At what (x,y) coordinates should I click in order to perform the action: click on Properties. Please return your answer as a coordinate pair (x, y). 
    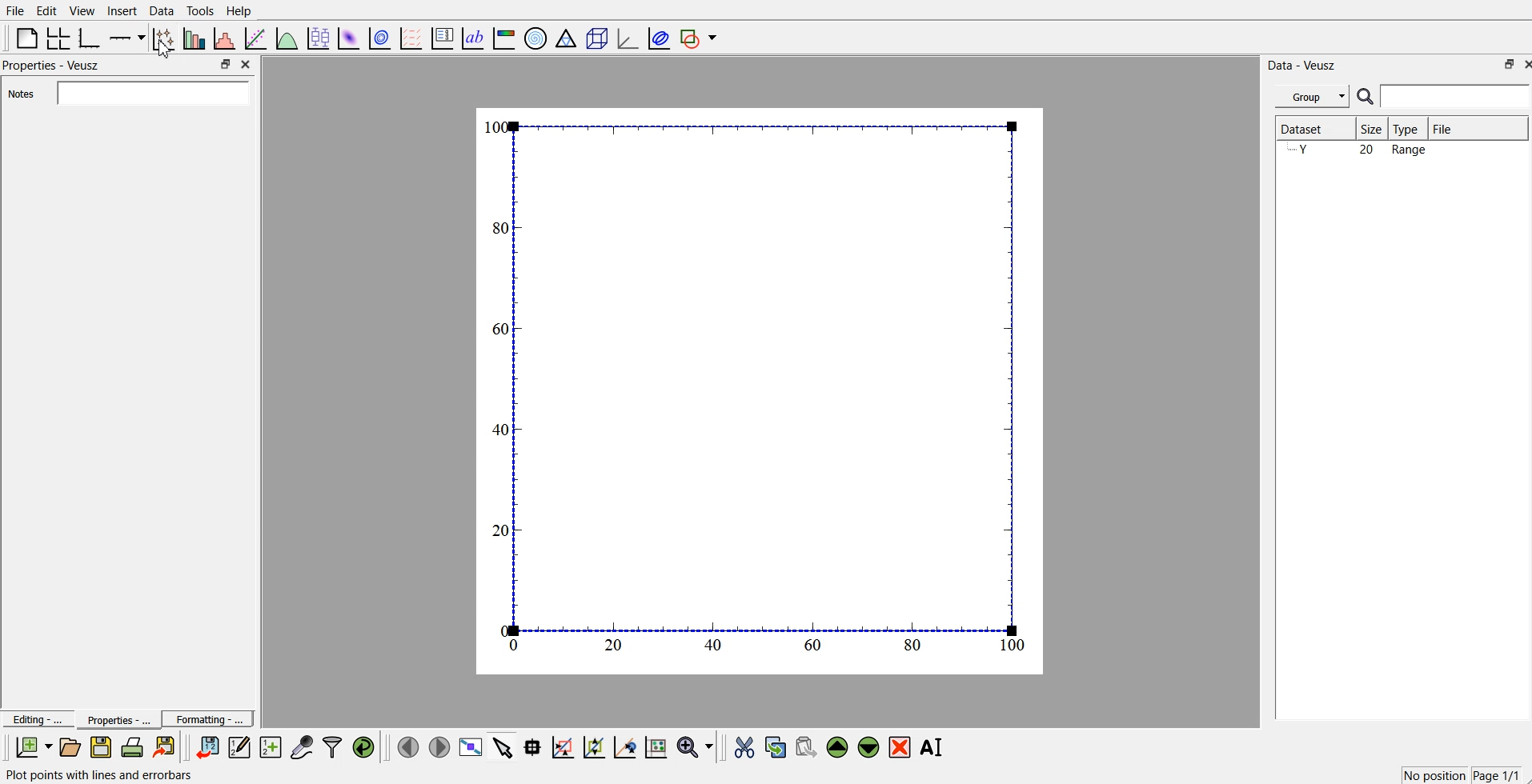
    Looking at the image, I should click on (113, 719).